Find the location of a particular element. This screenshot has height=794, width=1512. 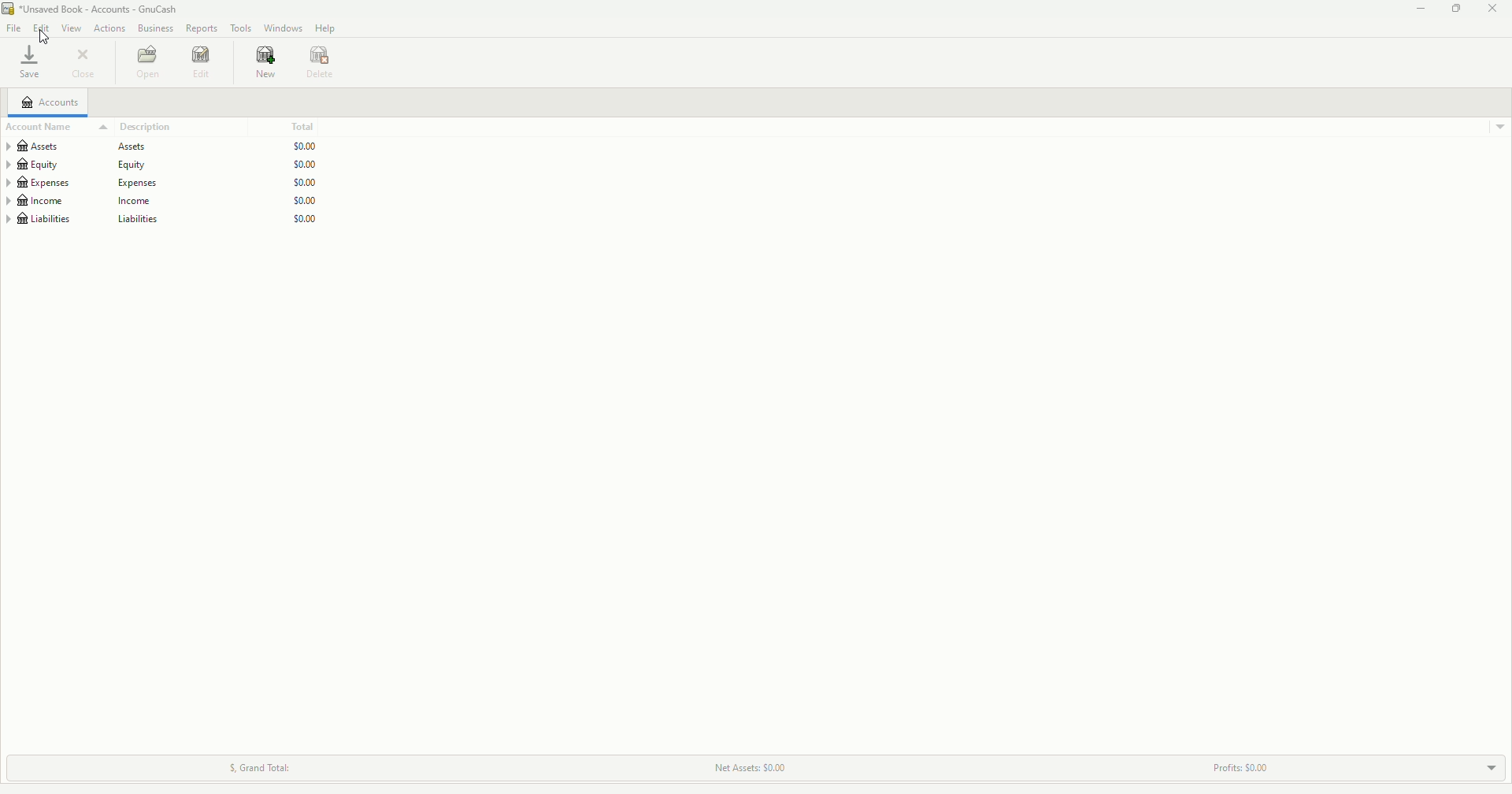

Minimize is located at coordinates (1417, 10).